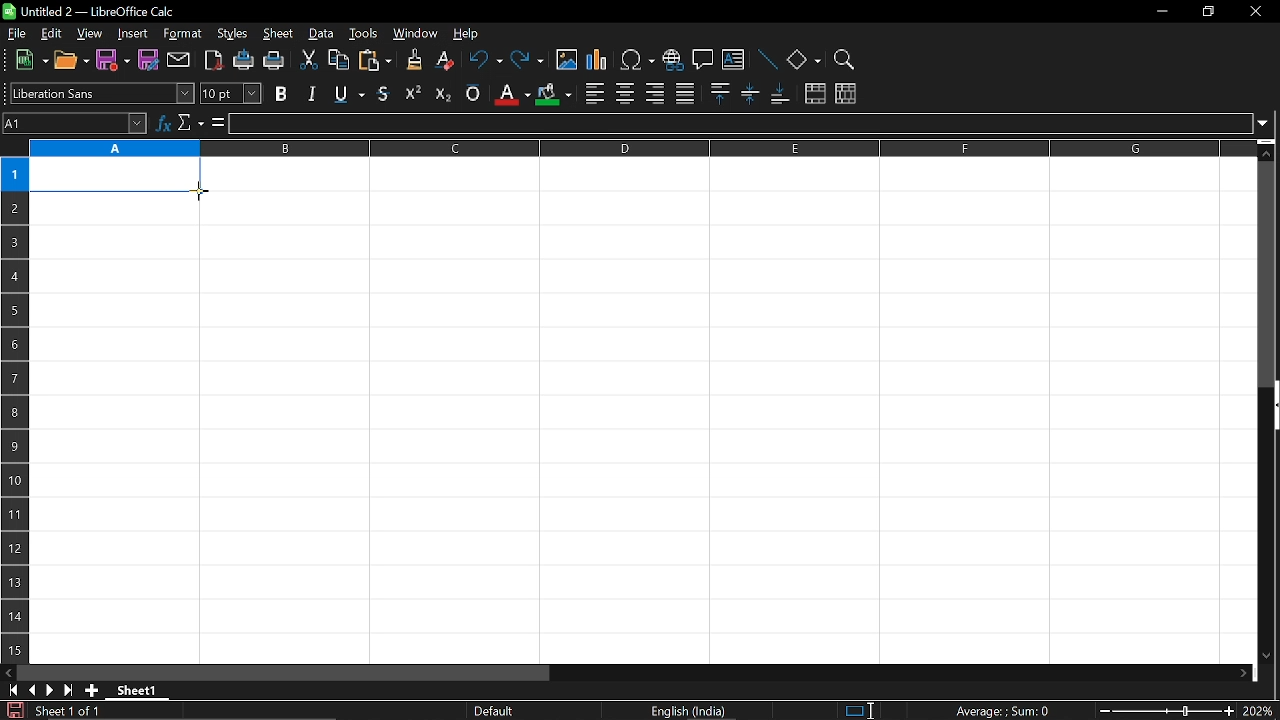 Image resolution: width=1280 pixels, height=720 pixels. I want to click on window, so click(415, 34).